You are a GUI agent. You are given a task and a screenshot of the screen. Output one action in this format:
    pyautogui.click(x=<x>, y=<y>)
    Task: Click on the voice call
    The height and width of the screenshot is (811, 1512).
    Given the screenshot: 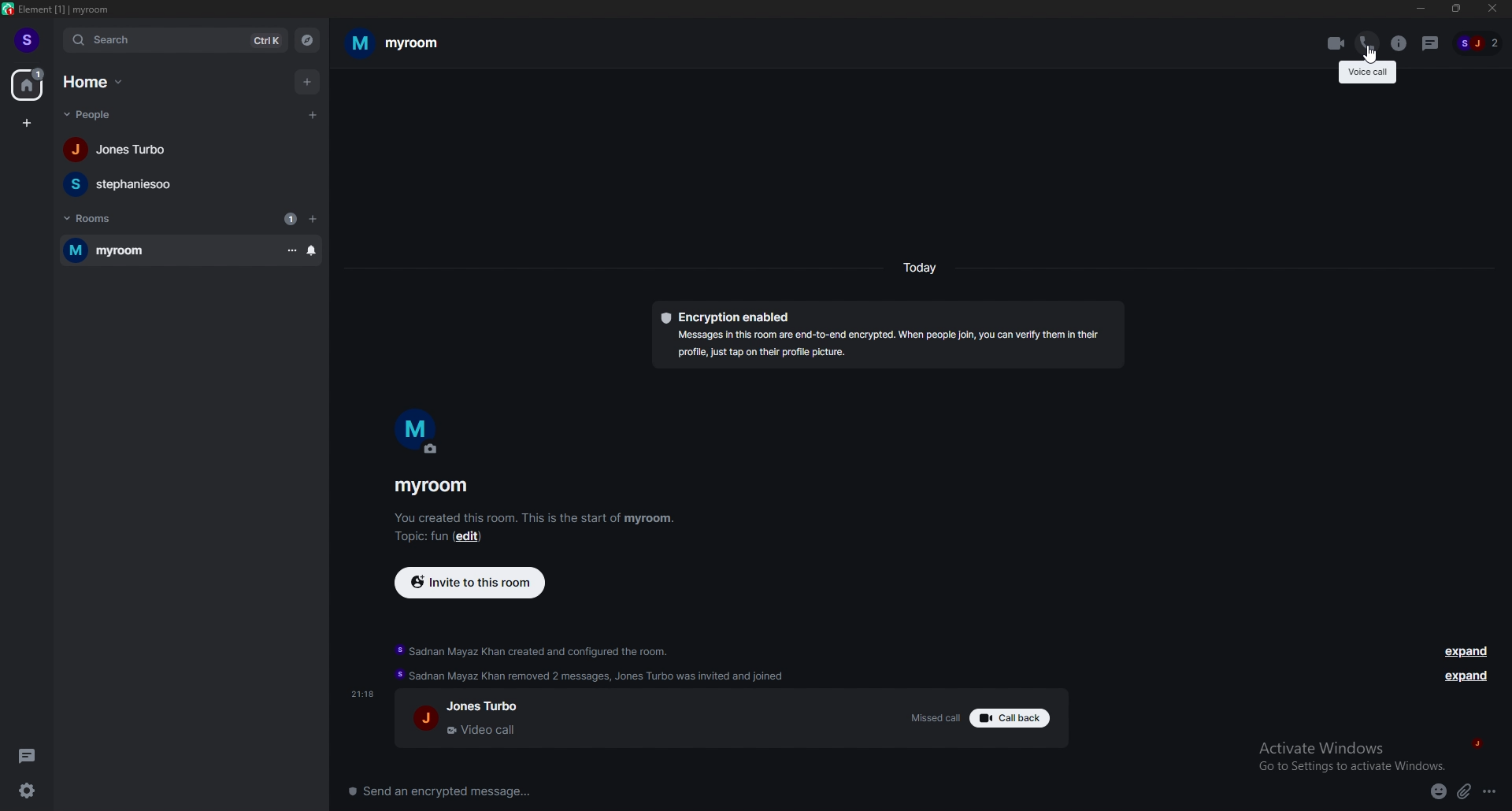 What is the action you would take?
    pyautogui.click(x=1368, y=73)
    